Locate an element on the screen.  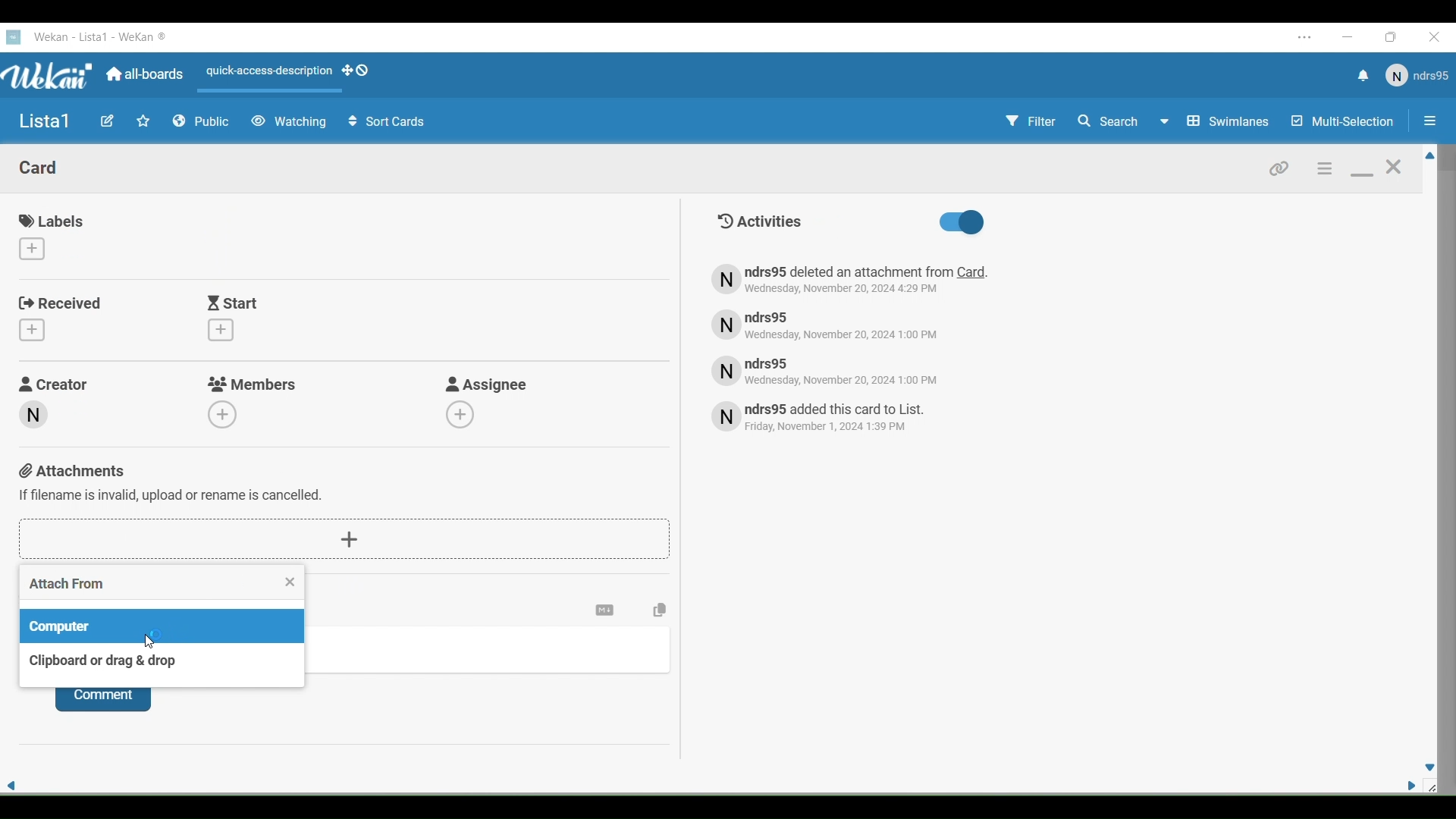
Received is located at coordinates (61, 303).